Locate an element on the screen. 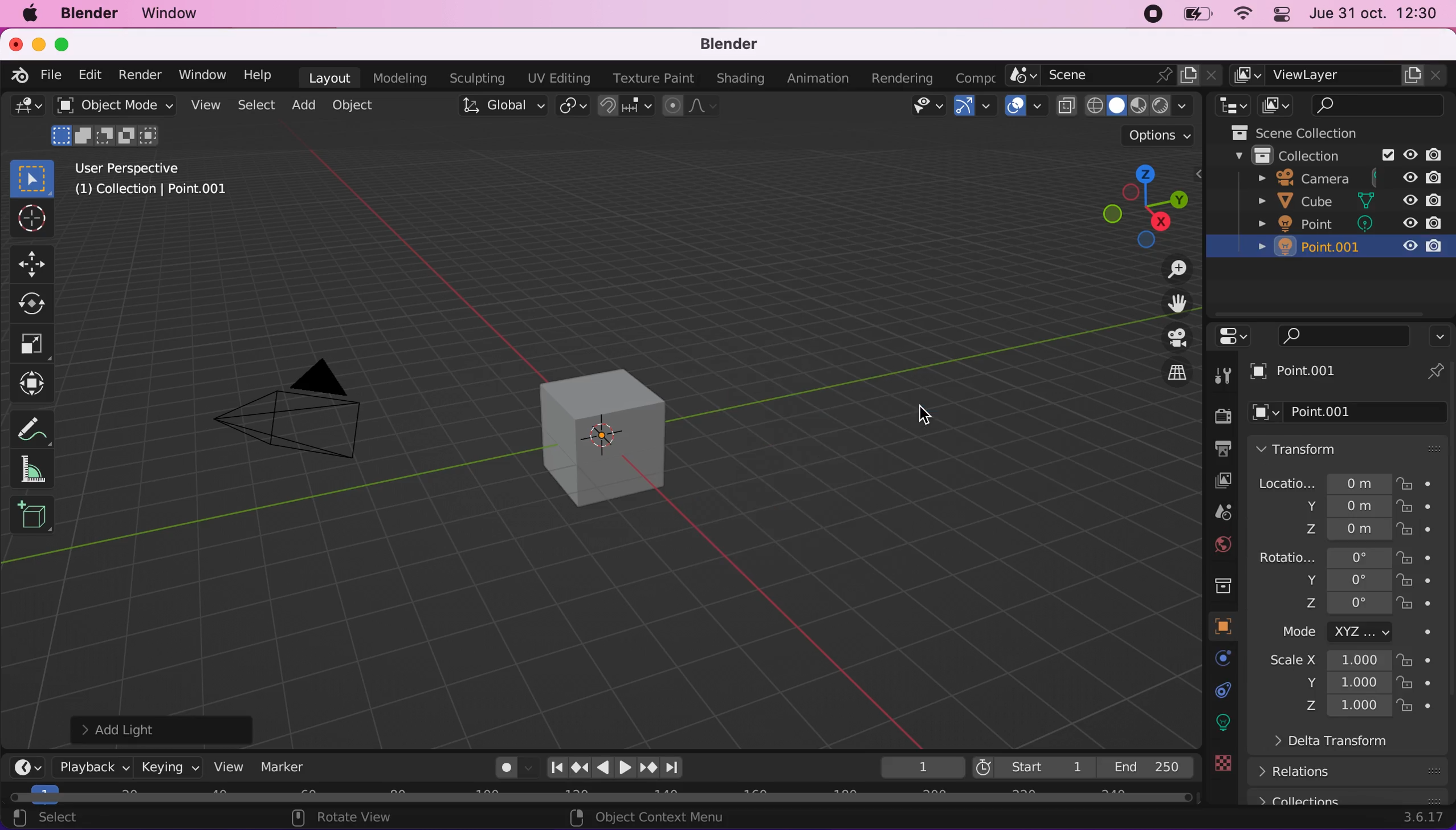 Image resolution: width=1456 pixels, height=830 pixels. disable in renders is located at coordinates (1438, 246).